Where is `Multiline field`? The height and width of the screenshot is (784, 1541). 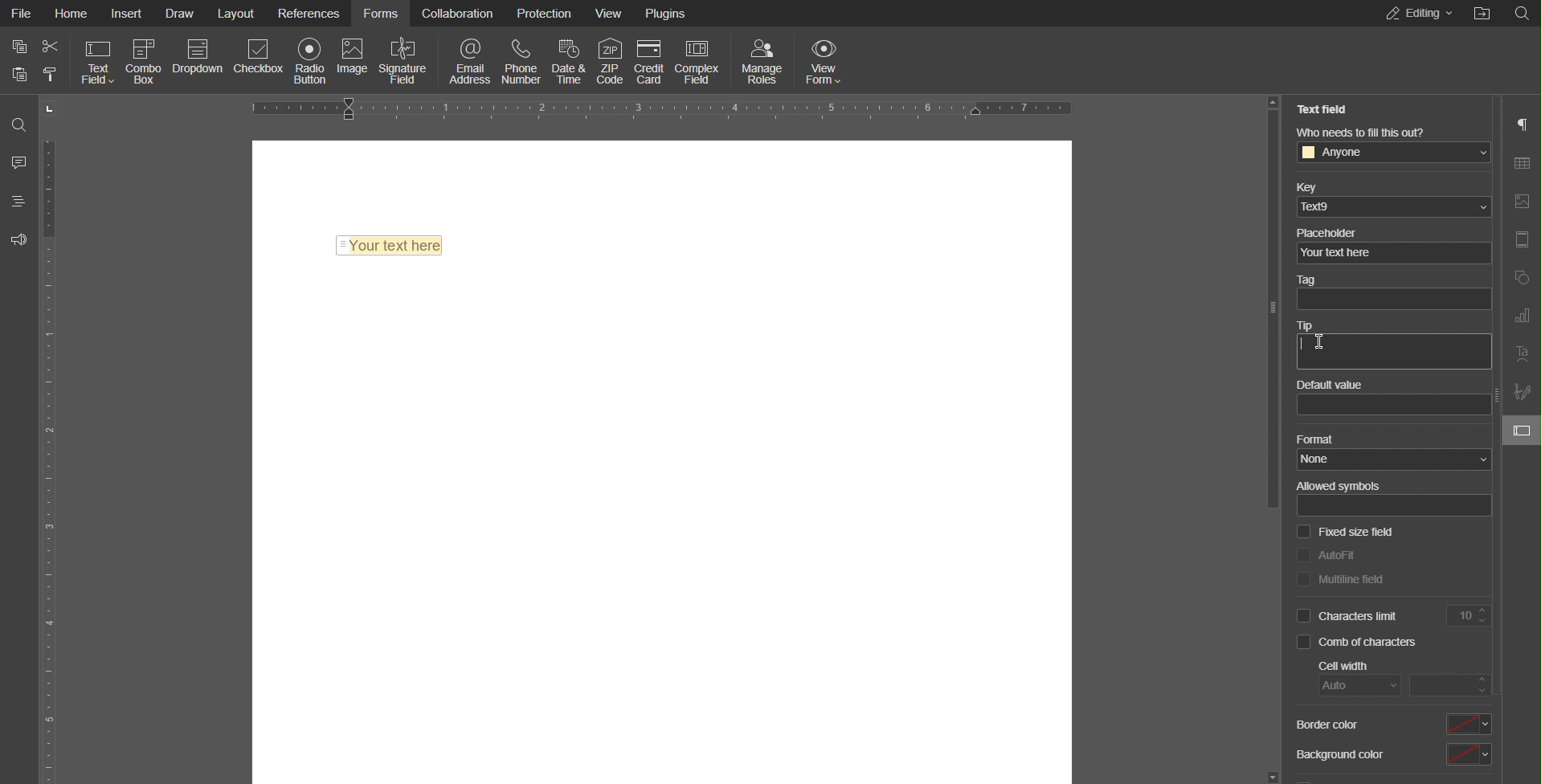 Multiline field is located at coordinates (1351, 578).